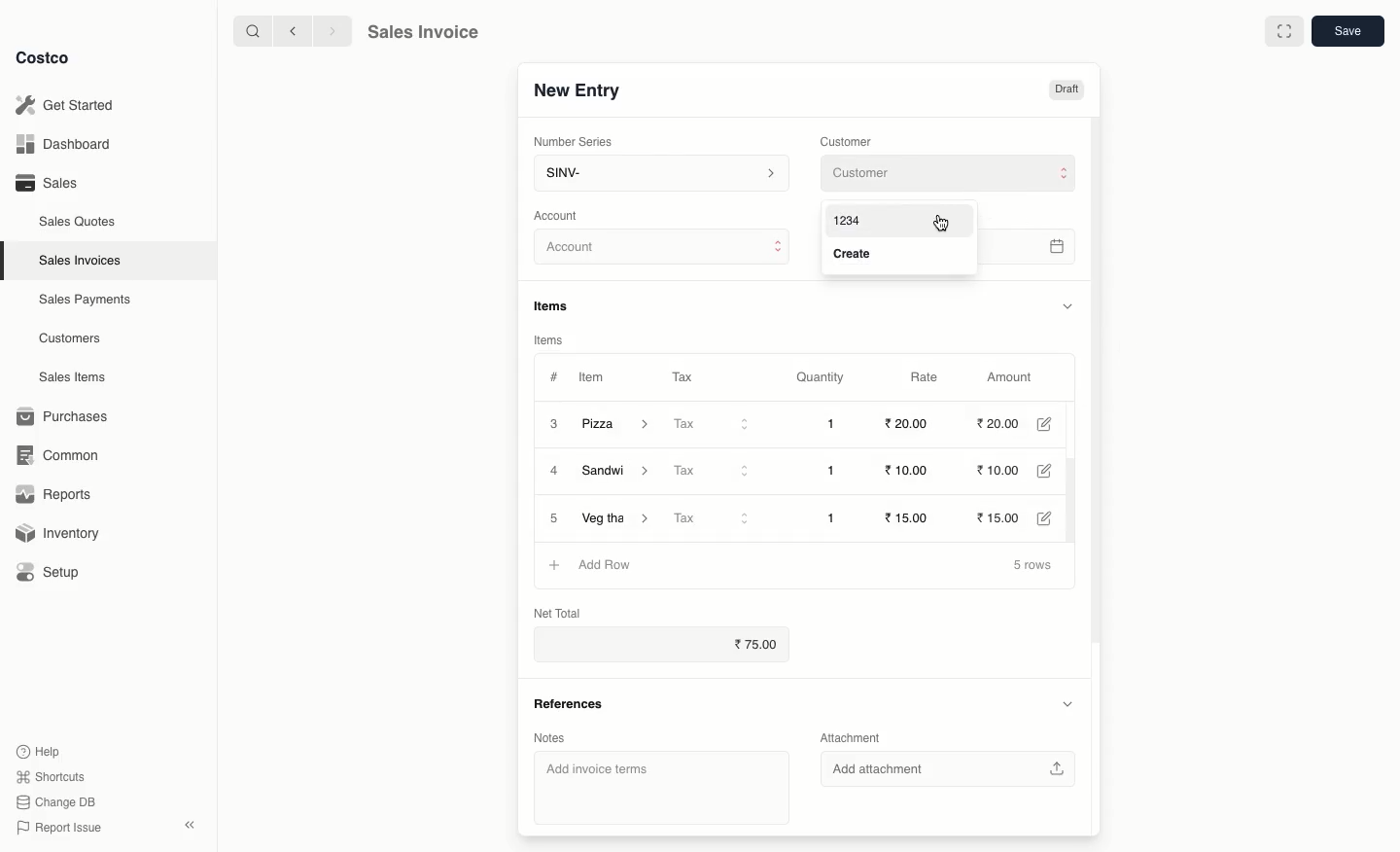 This screenshot has width=1400, height=852. I want to click on Hide, so click(1067, 305).